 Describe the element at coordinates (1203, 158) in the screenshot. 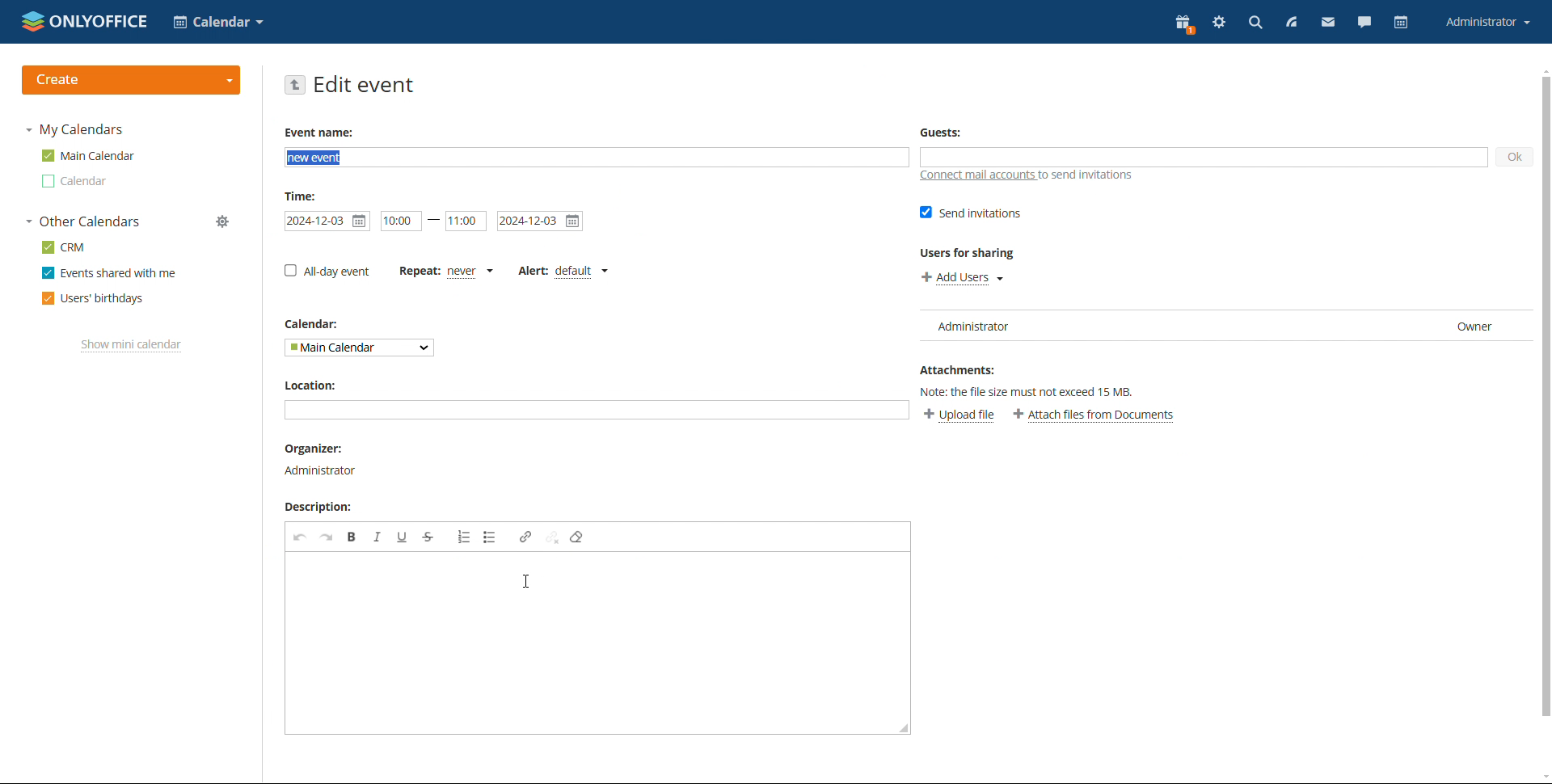

I see `add guests` at that location.